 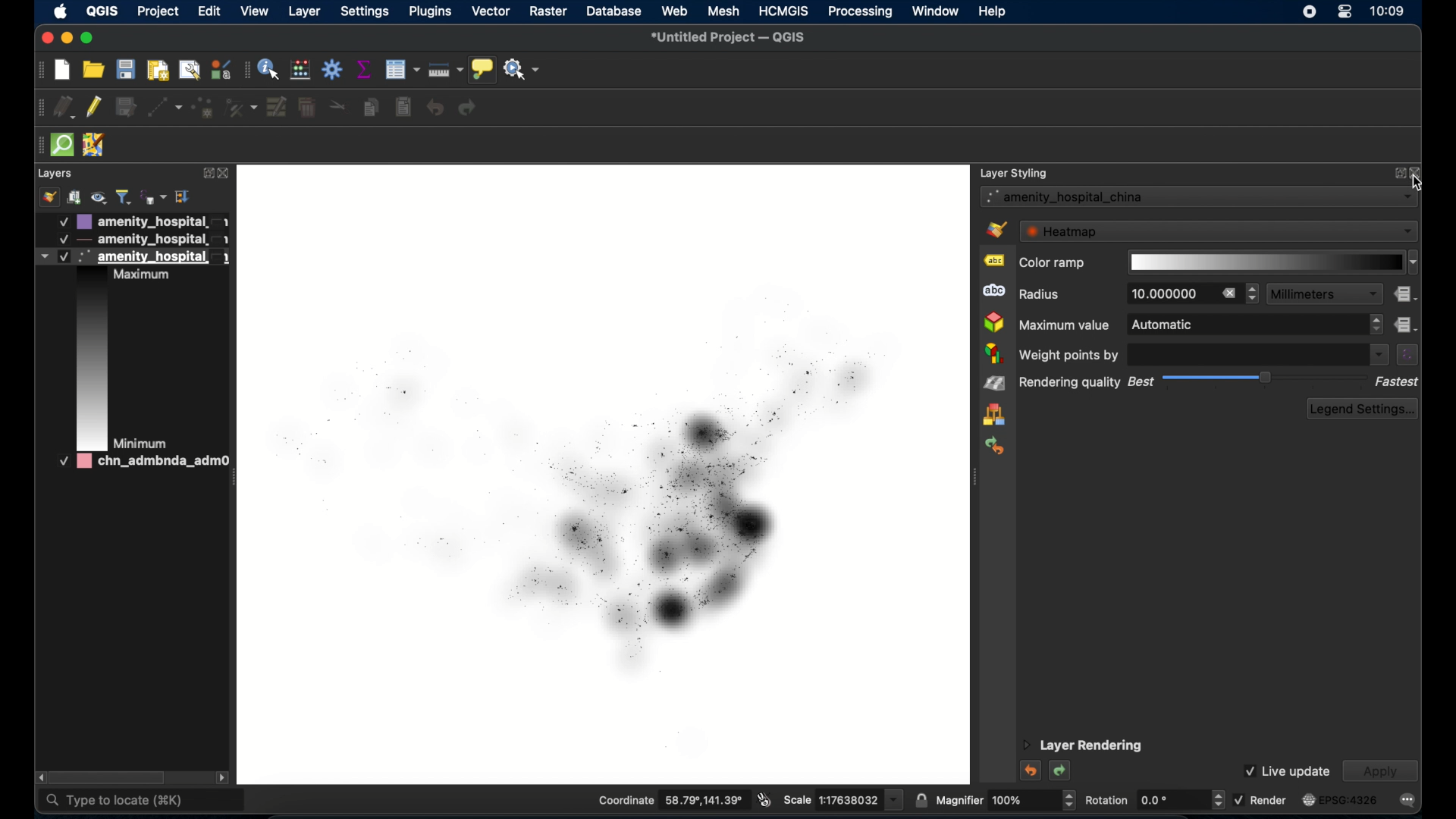 I want to click on toggle editing, so click(x=95, y=108).